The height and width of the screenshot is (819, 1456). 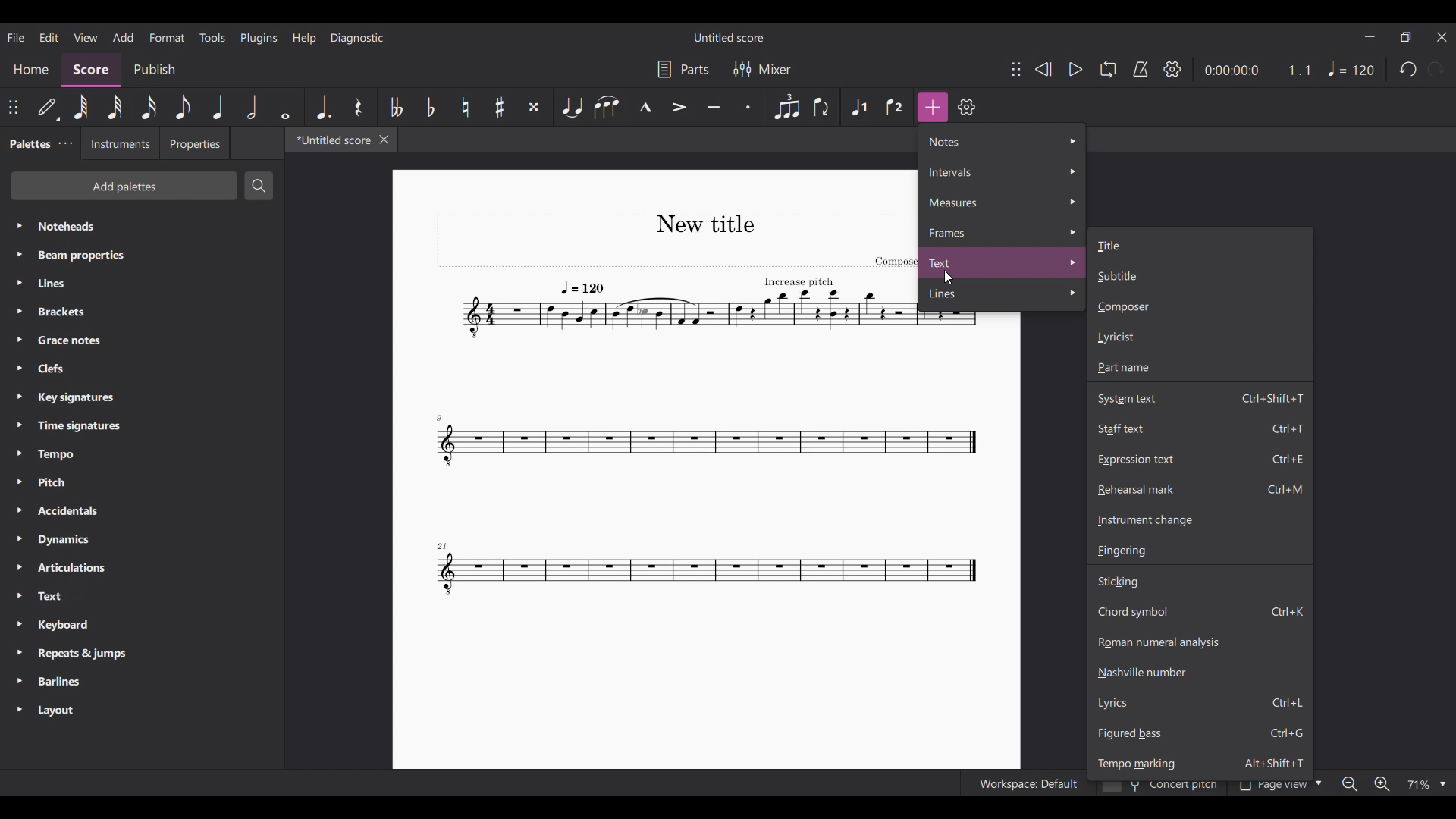 I want to click on Text options, highlighted by cursor, so click(x=1003, y=262).